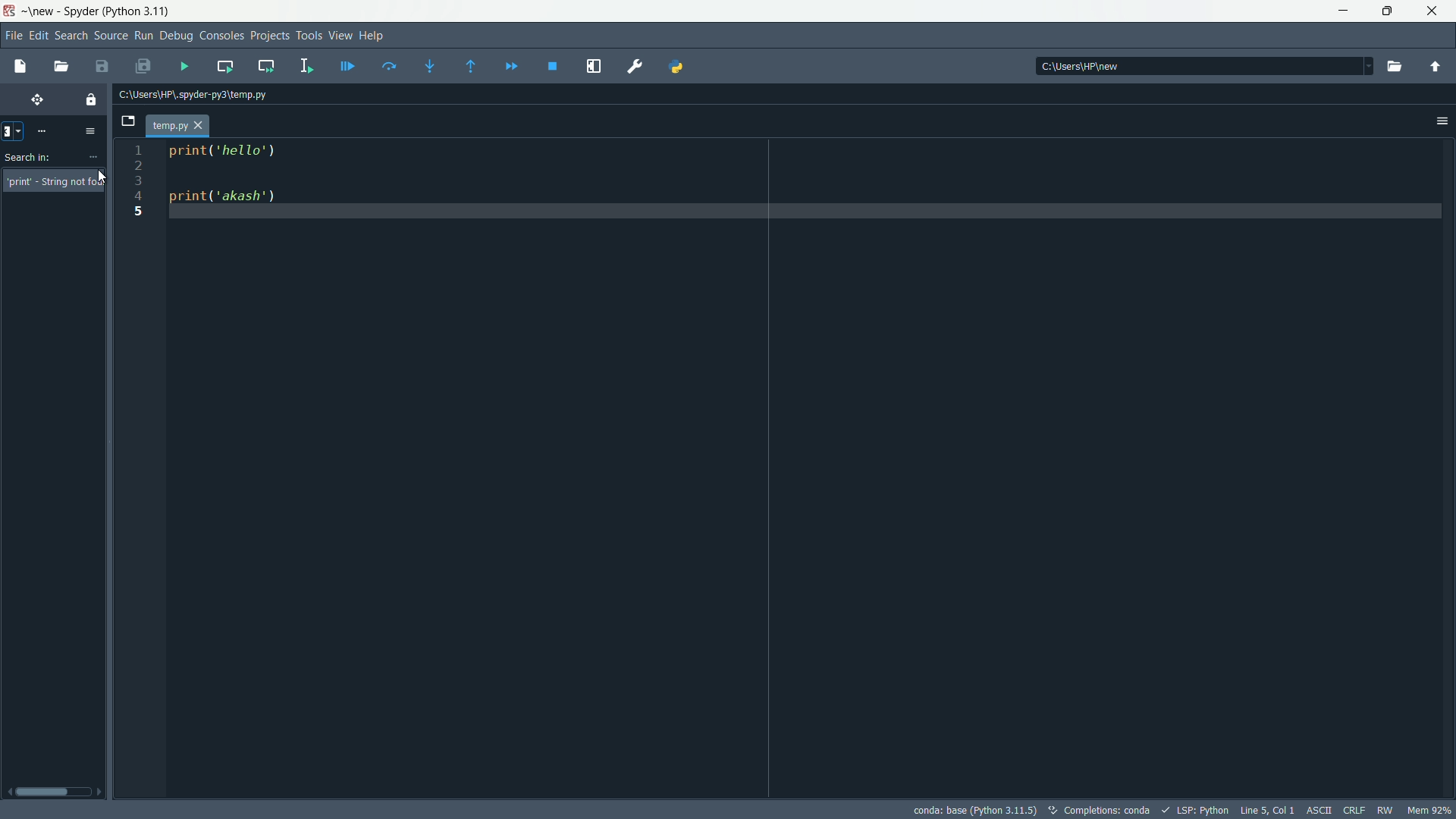 The height and width of the screenshot is (819, 1456). Describe the element at coordinates (143, 67) in the screenshot. I see `save all files` at that location.